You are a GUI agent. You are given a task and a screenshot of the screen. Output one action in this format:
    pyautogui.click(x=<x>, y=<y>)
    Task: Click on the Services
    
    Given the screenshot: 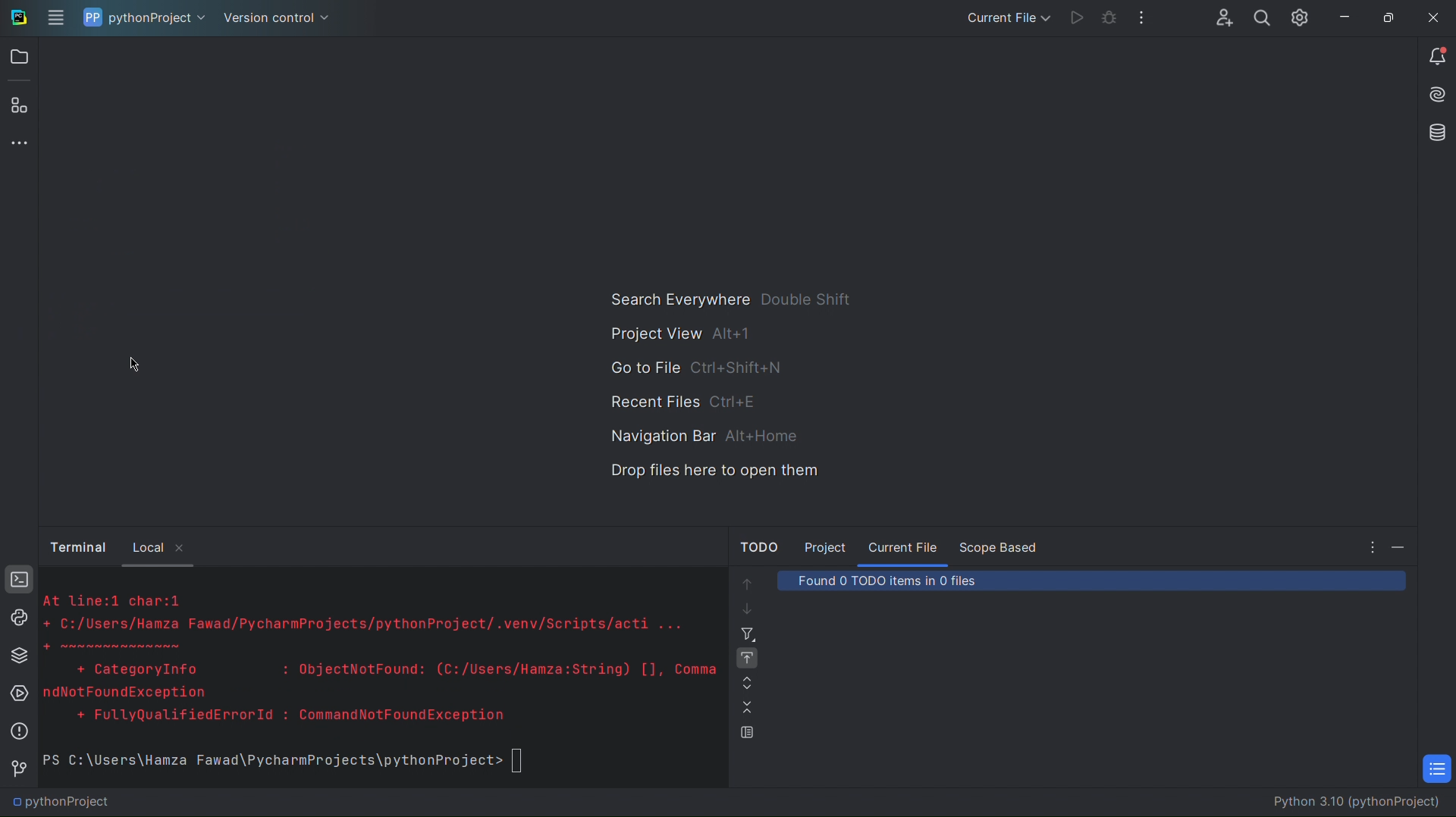 What is the action you would take?
    pyautogui.click(x=19, y=696)
    